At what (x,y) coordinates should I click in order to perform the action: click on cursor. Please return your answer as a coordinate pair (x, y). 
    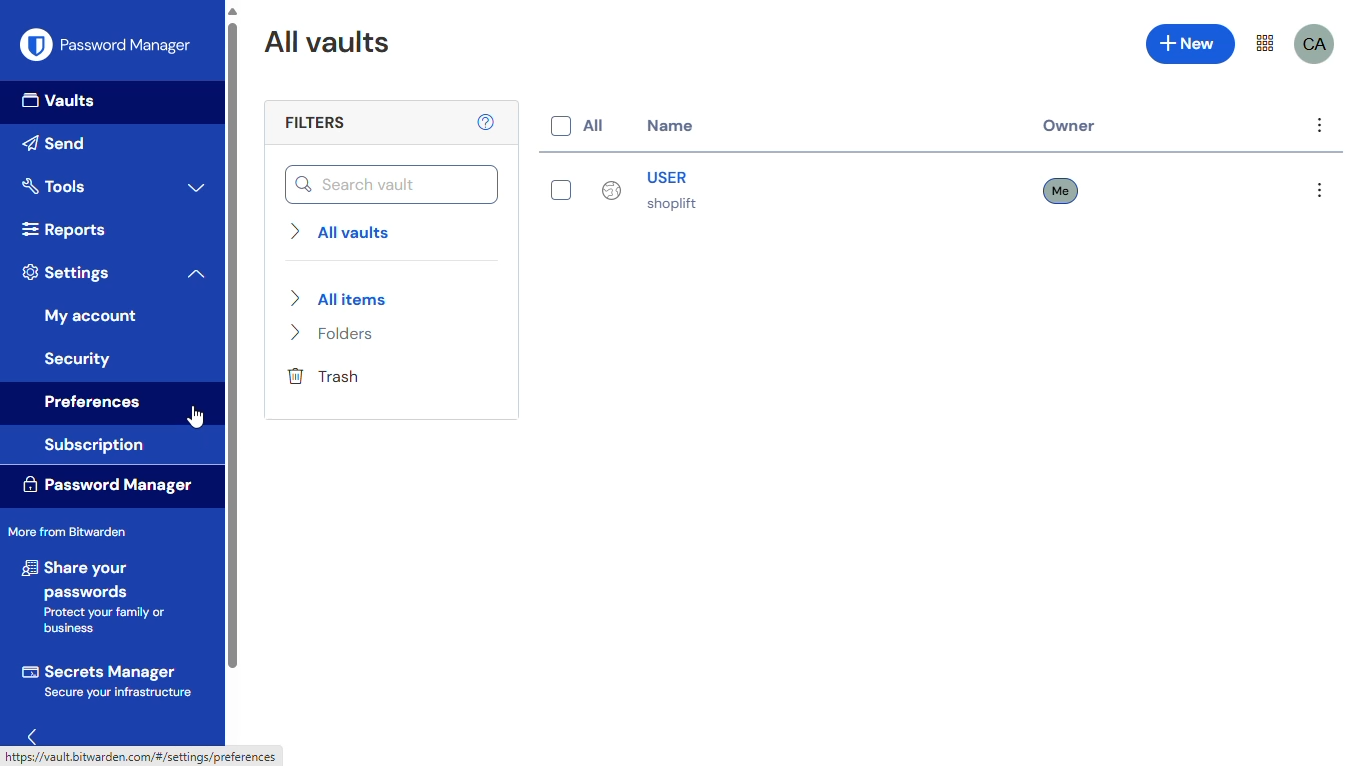
    Looking at the image, I should click on (196, 417).